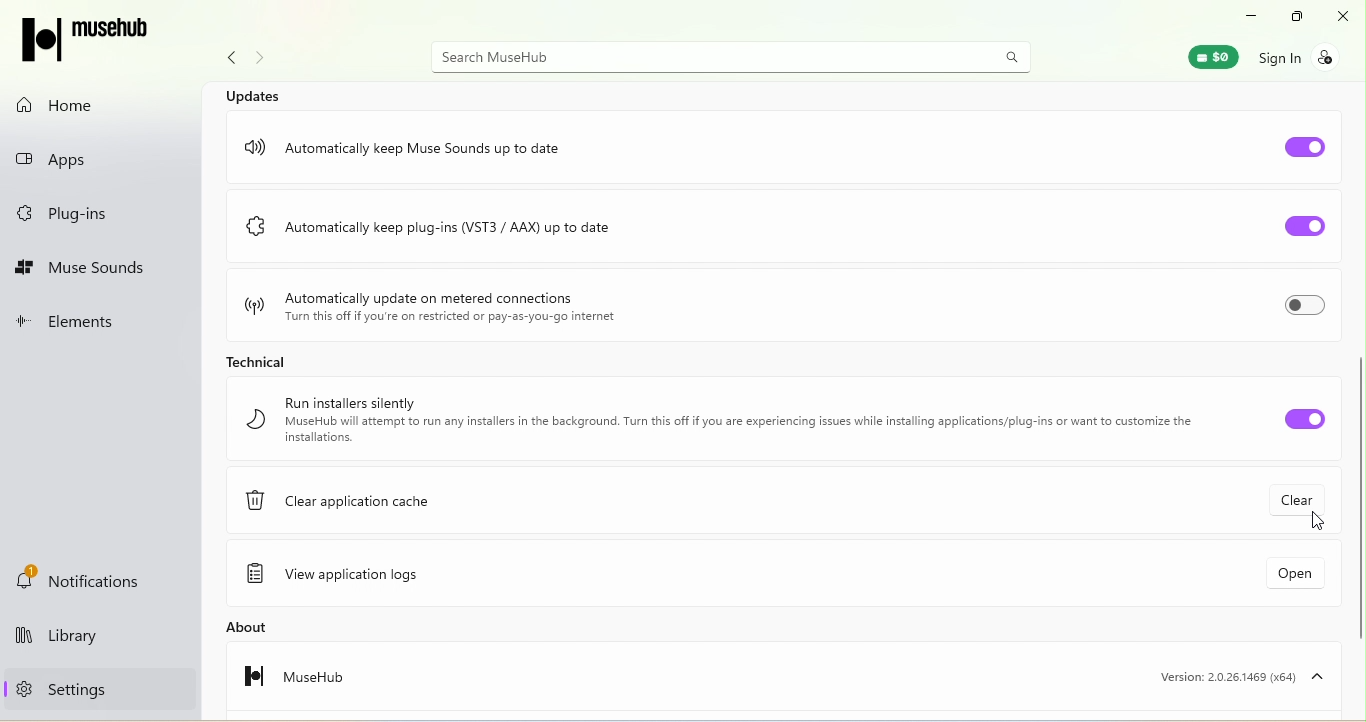 The height and width of the screenshot is (722, 1366). I want to click on Muse Sounds, so click(83, 269).